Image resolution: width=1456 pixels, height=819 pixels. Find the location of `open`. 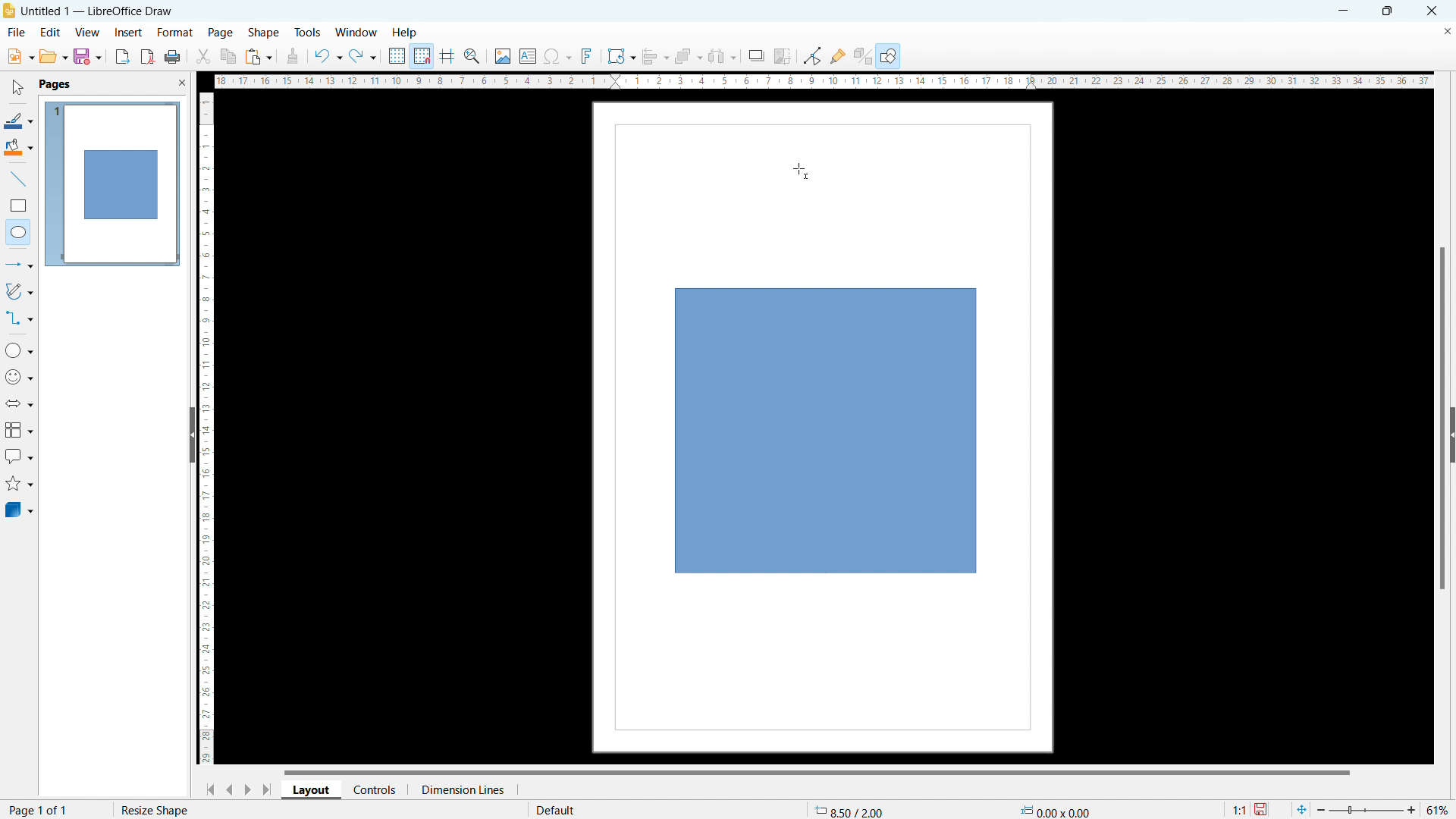

open is located at coordinates (53, 56).